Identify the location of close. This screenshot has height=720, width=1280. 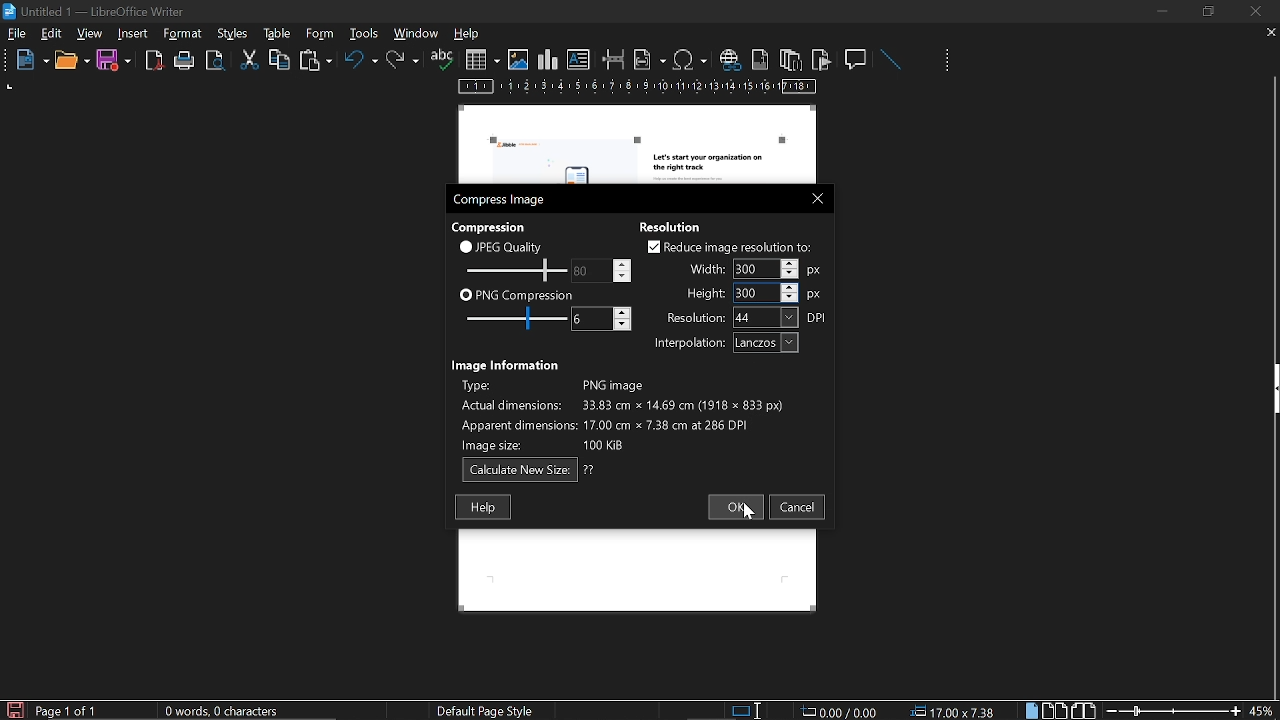
(1254, 11).